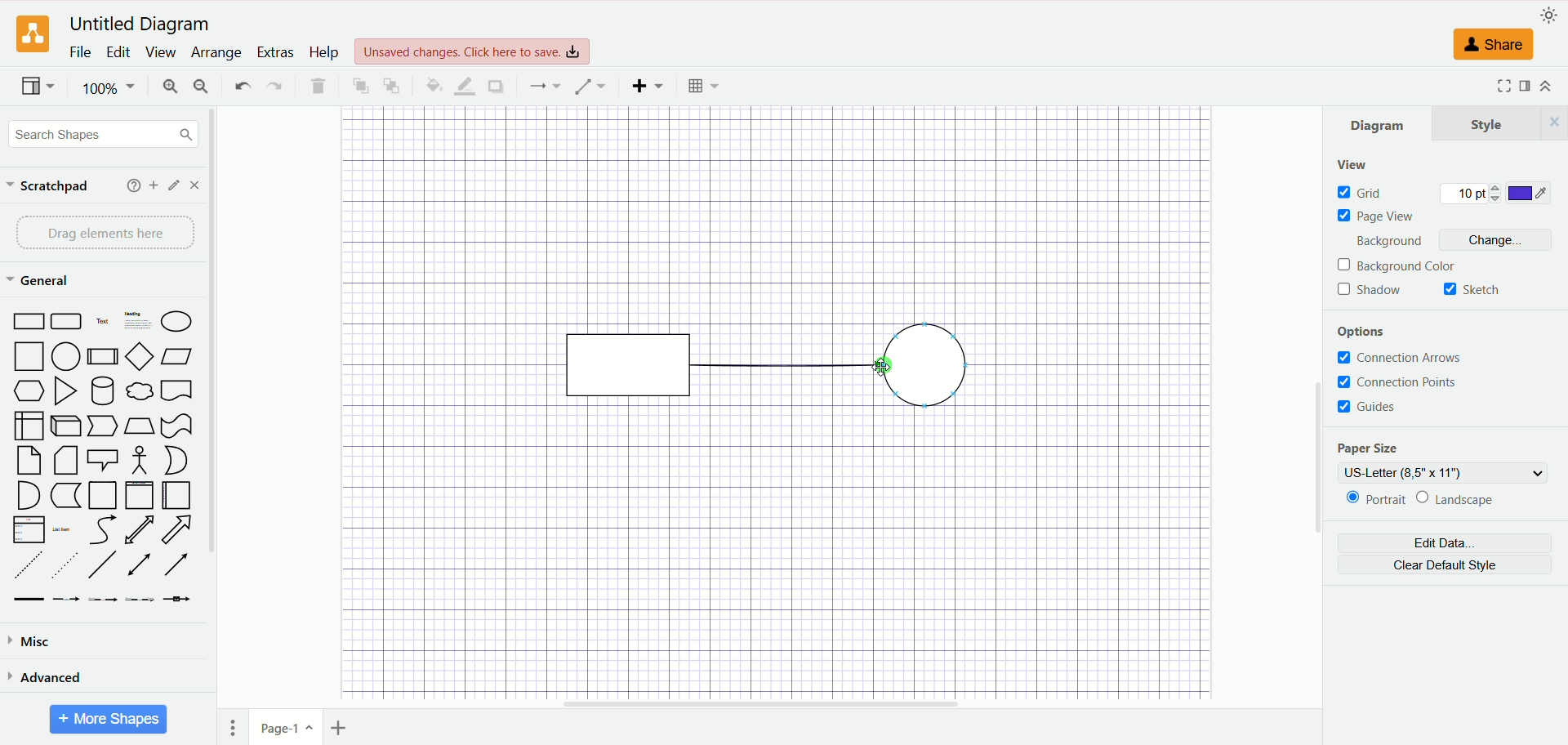 Image resolution: width=1568 pixels, height=745 pixels. What do you see at coordinates (30, 321) in the screenshot?
I see `Rectangle` at bounding box center [30, 321].